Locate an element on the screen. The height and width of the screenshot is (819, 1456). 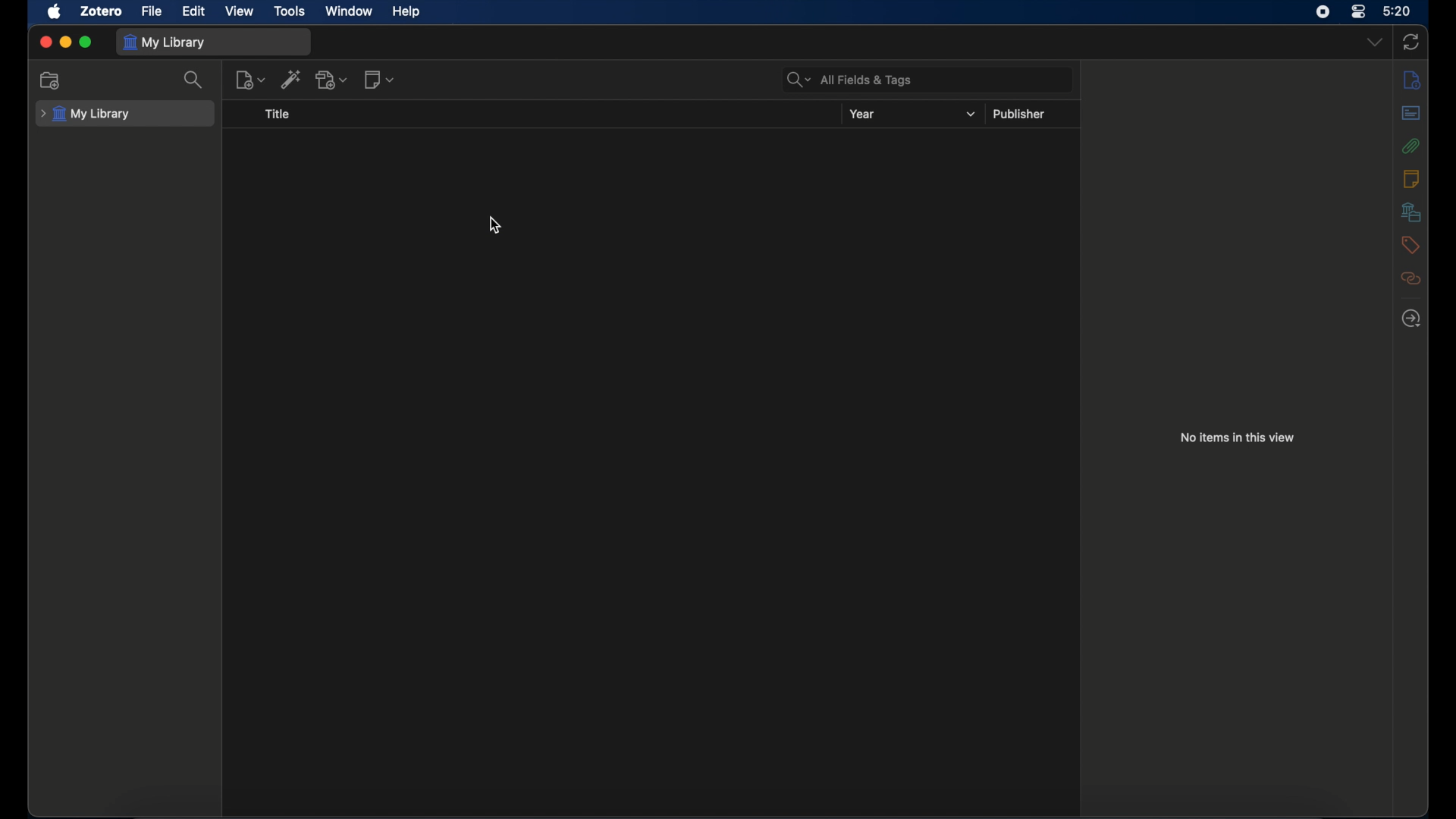
view is located at coordinates (240, 11).